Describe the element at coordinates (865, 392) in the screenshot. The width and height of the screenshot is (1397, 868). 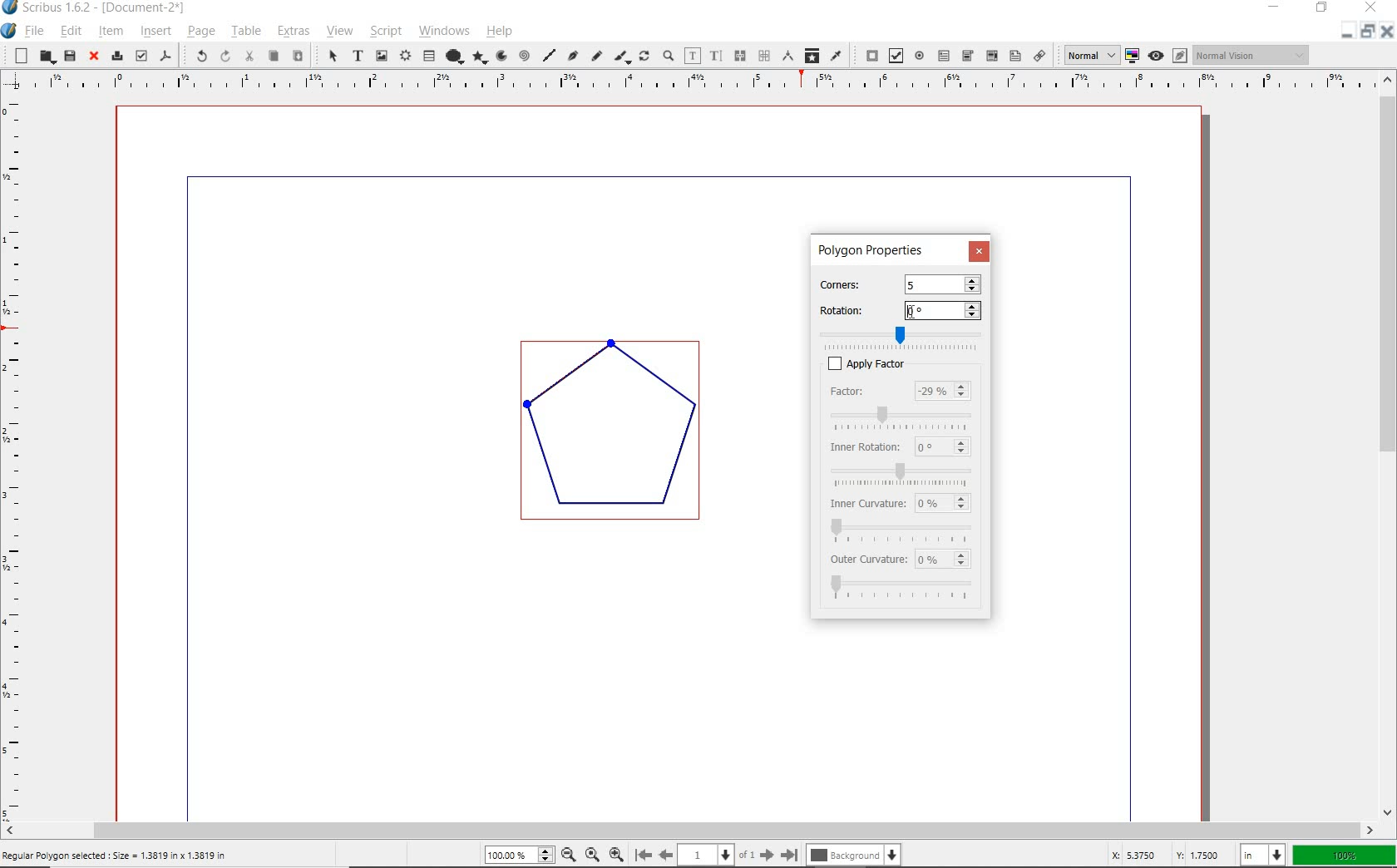
I see `FACTOR` at that location.